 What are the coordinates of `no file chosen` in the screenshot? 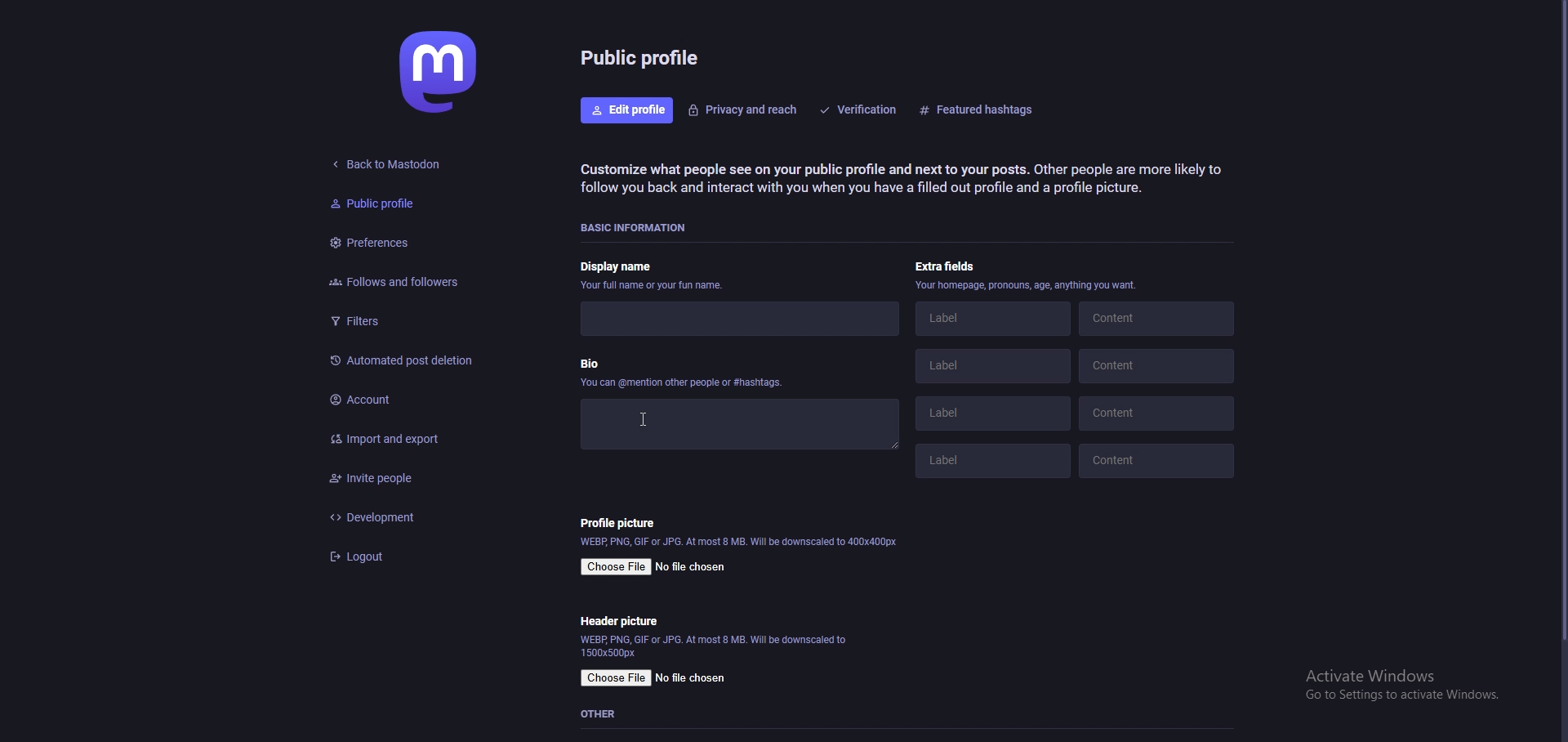 It's located at (694, 678).